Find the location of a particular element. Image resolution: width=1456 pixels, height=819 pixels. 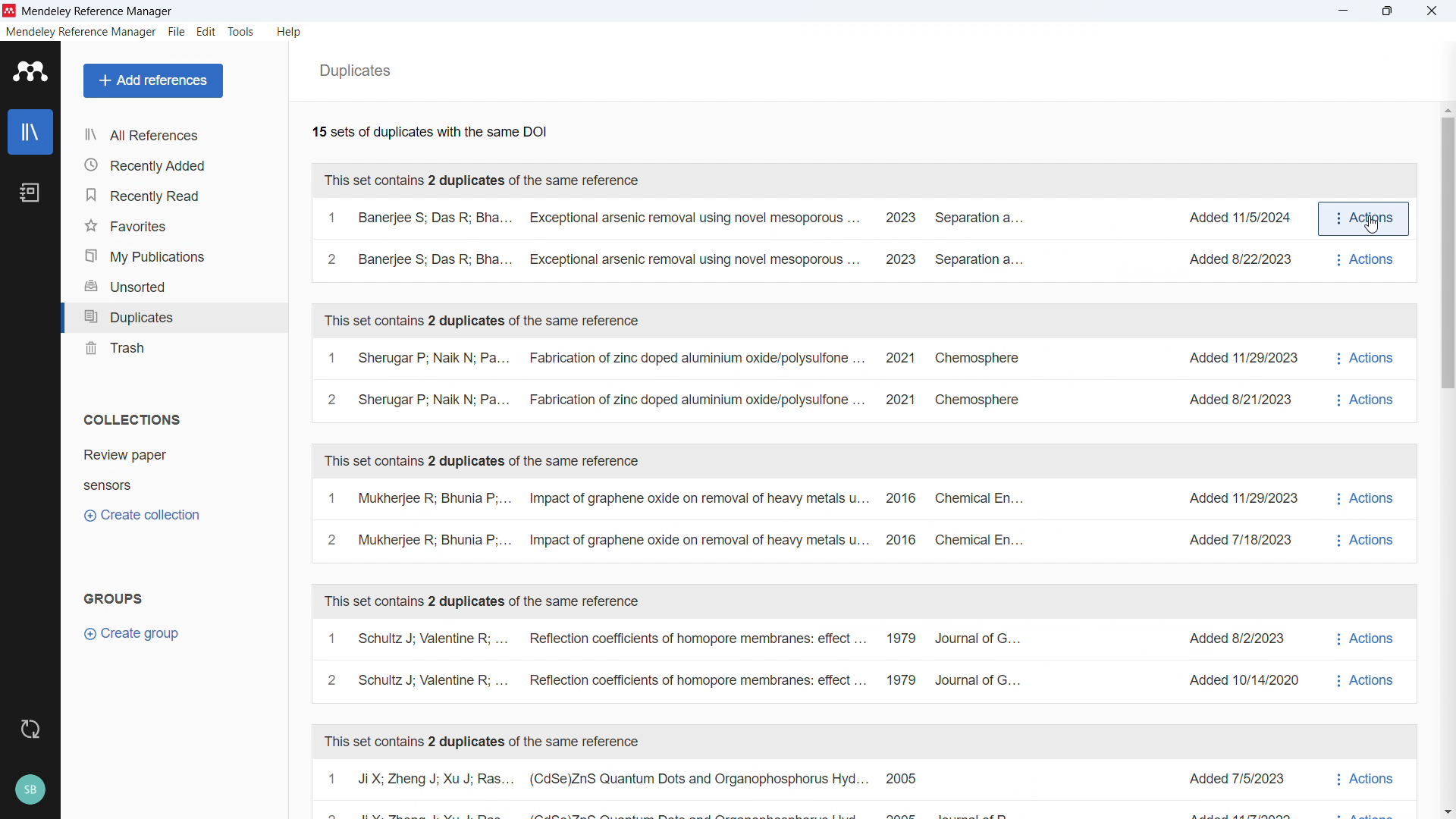

1 Mukherjee R; Bhunia P;... Impact of graphene oxide on removal of heavy metals u... 2016 Chemical En... is located at coordinates (679, 497).